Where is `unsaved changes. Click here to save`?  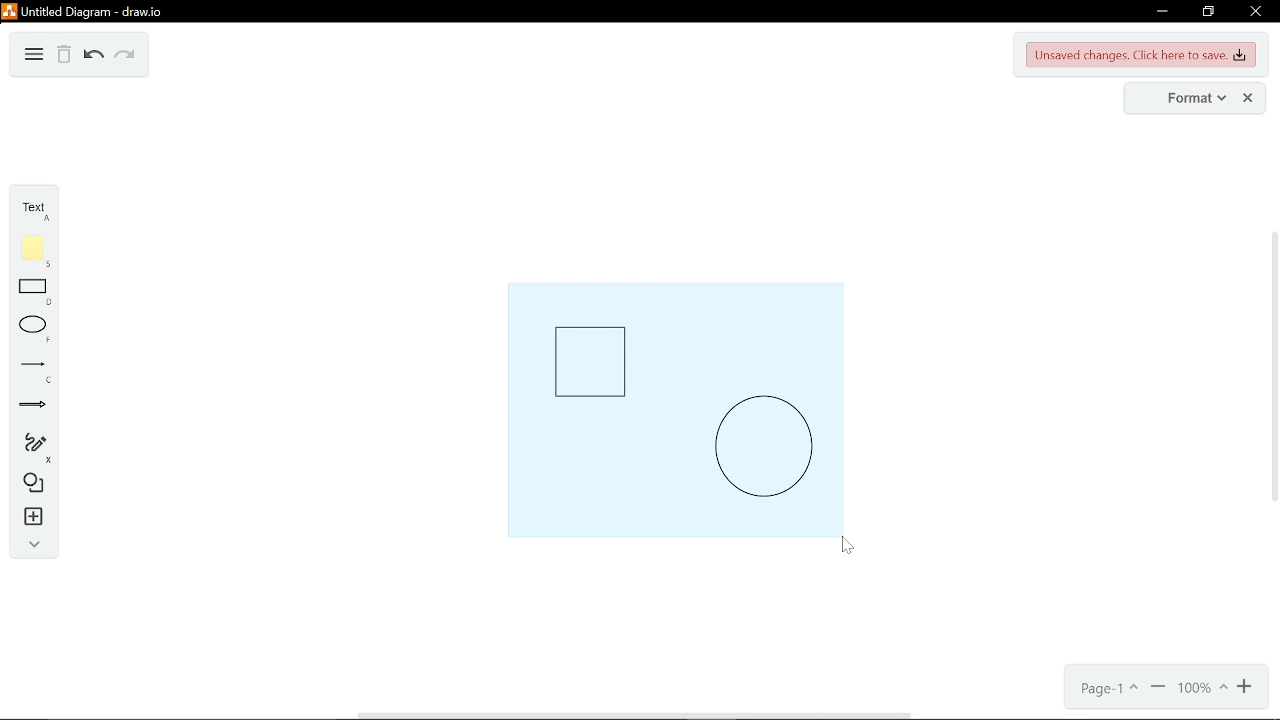 unsaved changes. Click here to save is located at coordinates (1139, 56).